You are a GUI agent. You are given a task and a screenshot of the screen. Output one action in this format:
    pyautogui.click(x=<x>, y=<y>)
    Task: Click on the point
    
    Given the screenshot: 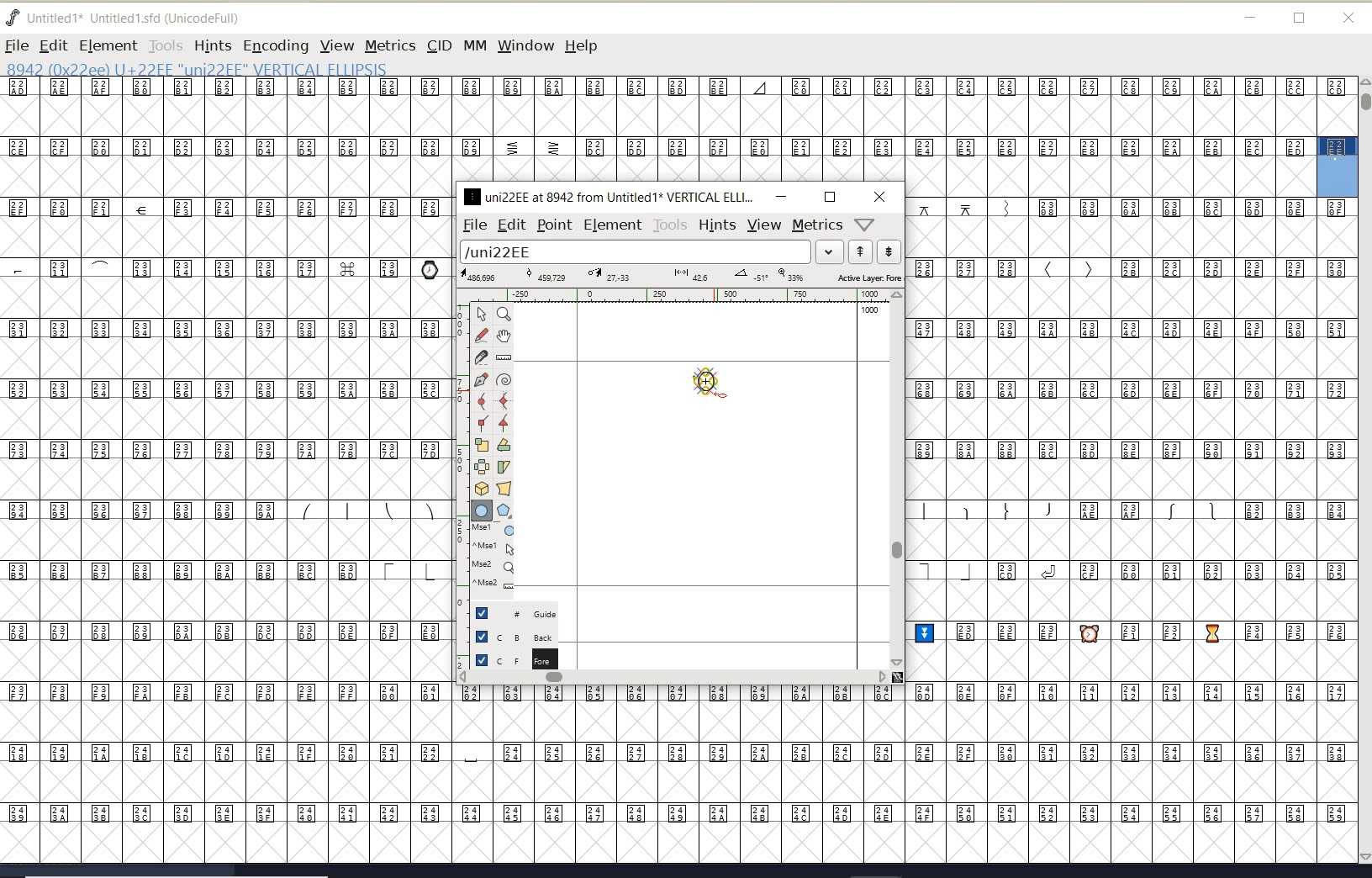 What is the action you would take?
    pyautogui.click(x=553, y=225)
    